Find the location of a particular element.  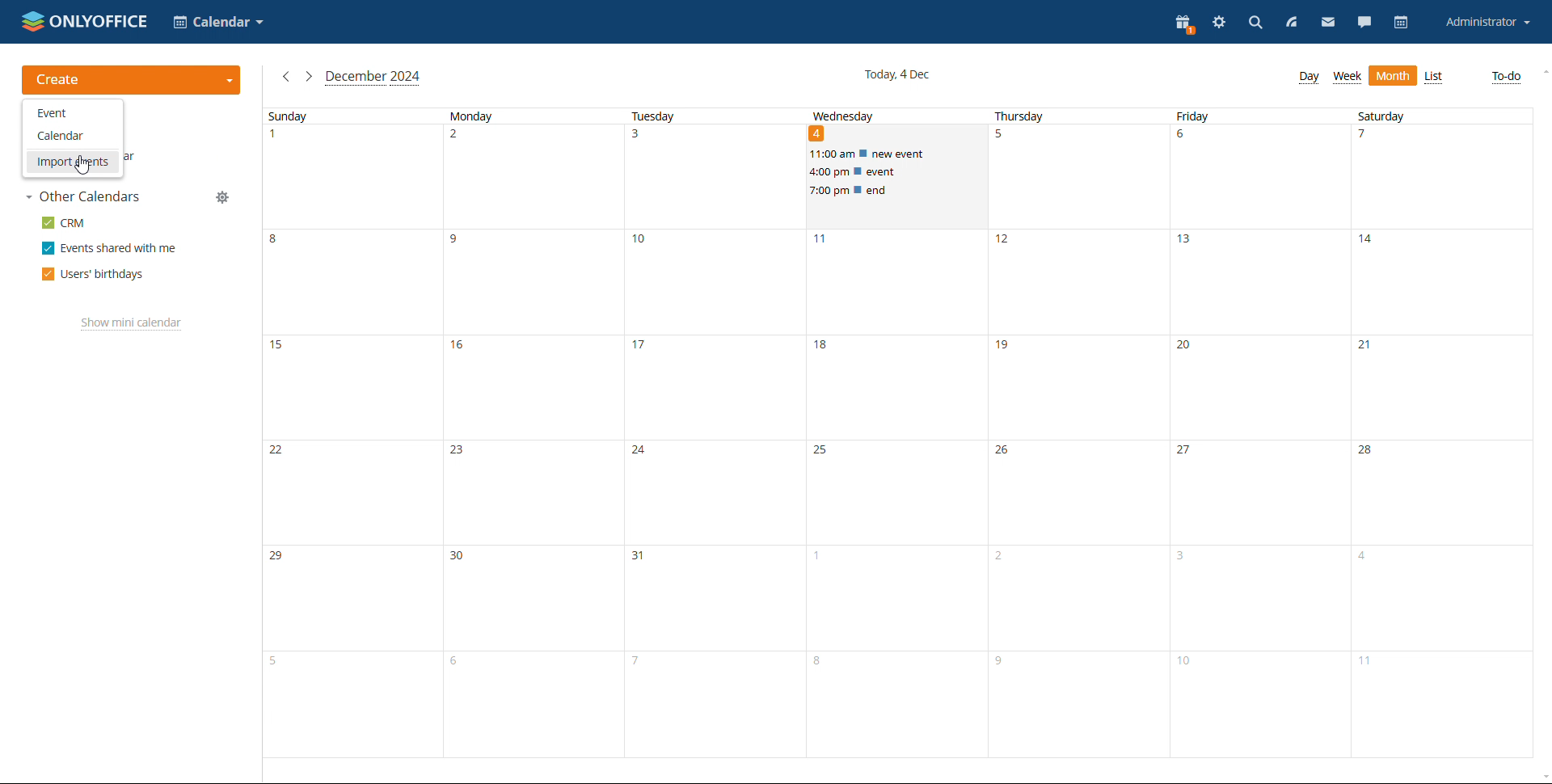

saturday is located at coordinates (1444, 435).